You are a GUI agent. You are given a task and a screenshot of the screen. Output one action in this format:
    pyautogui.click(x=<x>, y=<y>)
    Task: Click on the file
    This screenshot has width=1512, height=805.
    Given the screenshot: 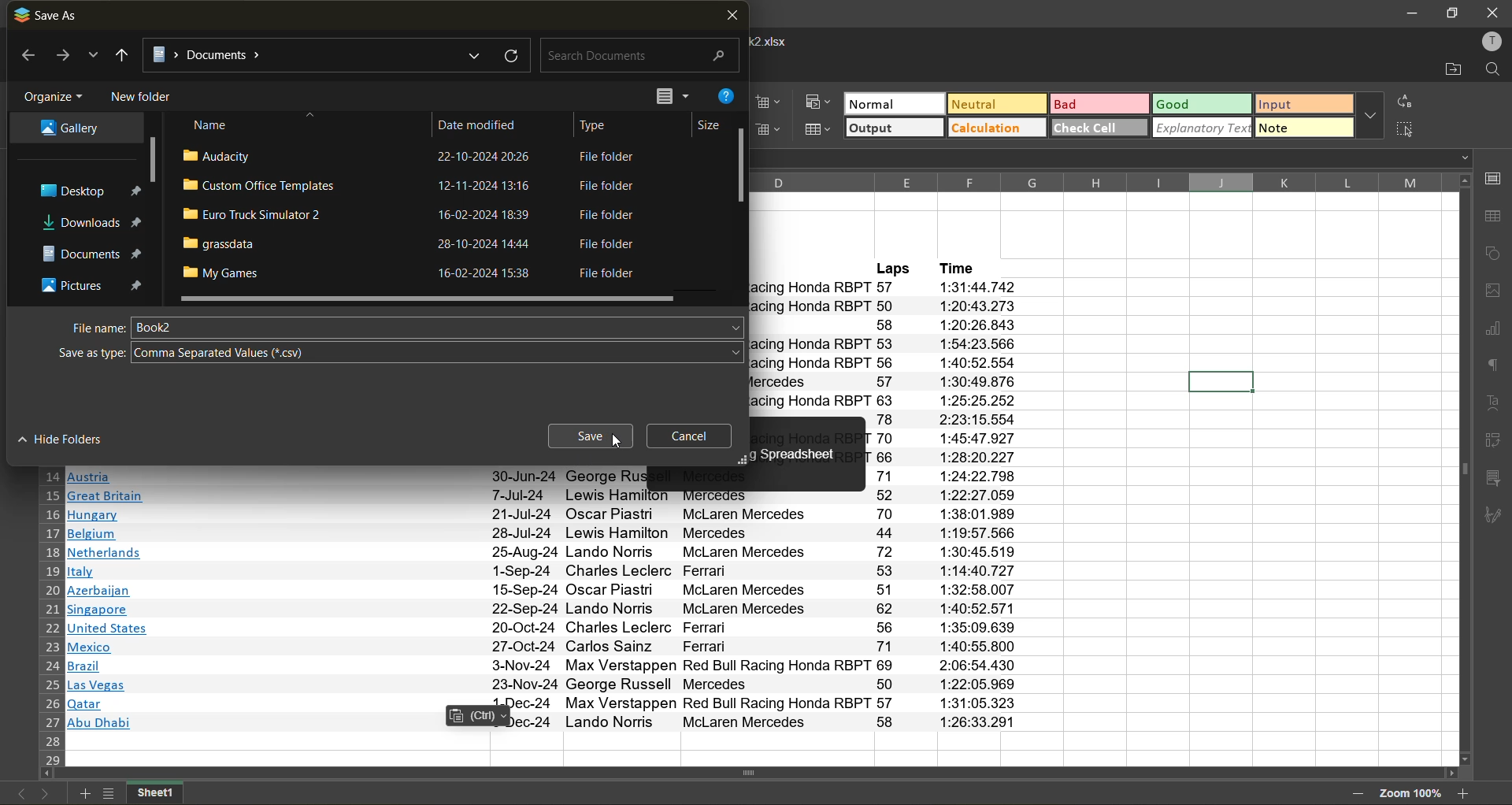 What is the action you would take?
    pyautogui.click(x=415, y=244)
    